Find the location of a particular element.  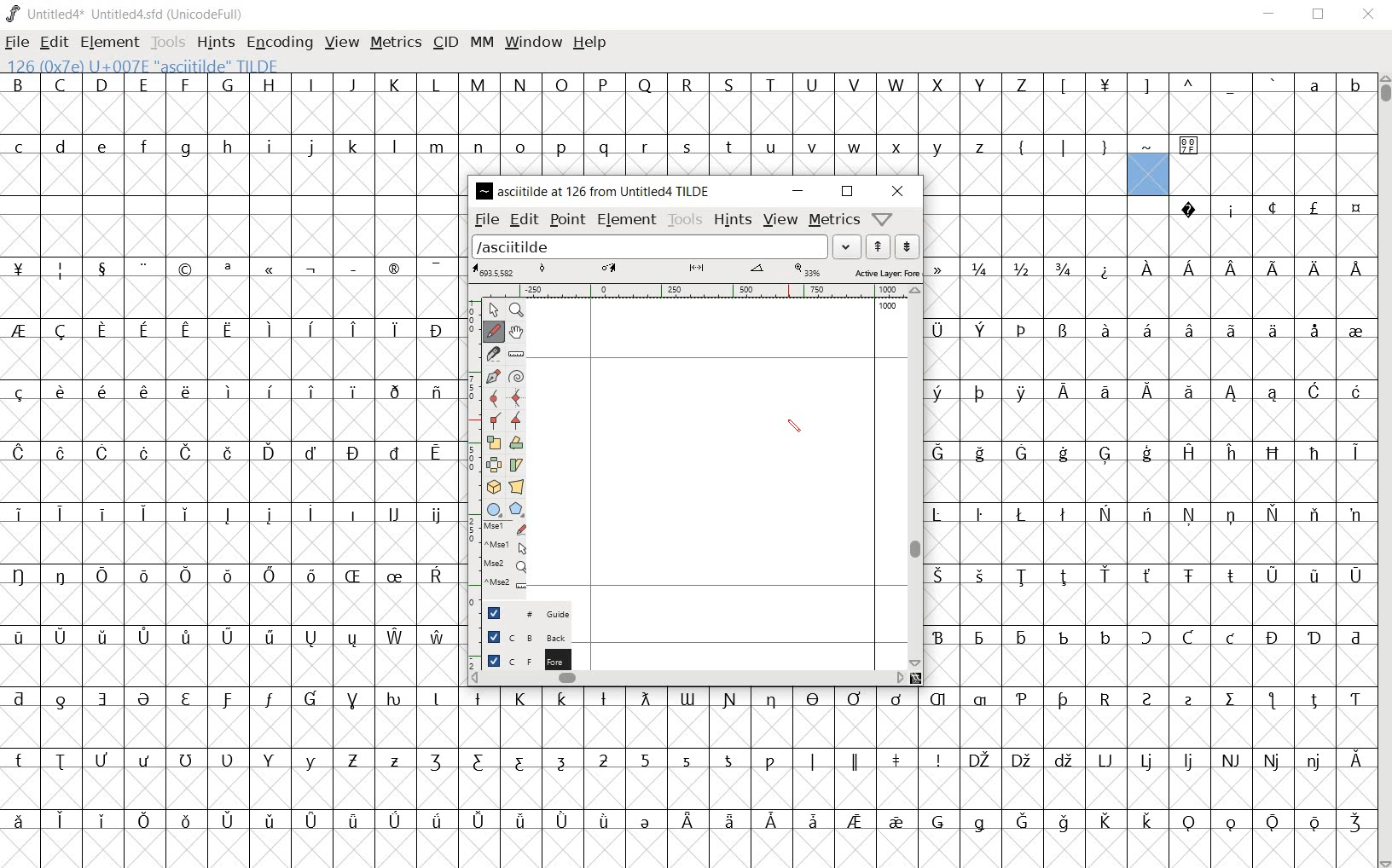

TOOLS is located at coordinates (168, 42).